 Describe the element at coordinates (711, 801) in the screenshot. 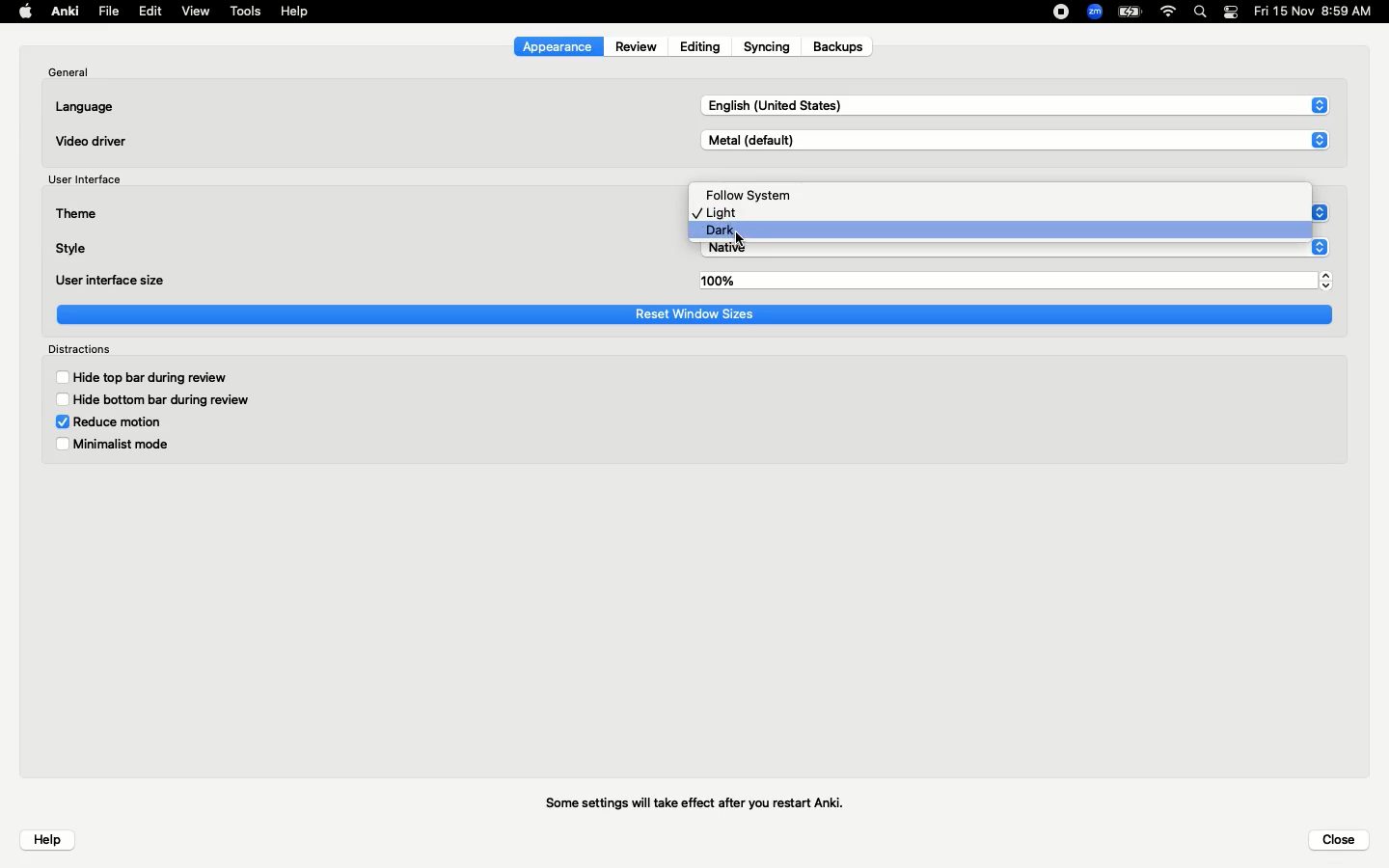

I see `Some settings will take effect after you restart Anki` at that location.